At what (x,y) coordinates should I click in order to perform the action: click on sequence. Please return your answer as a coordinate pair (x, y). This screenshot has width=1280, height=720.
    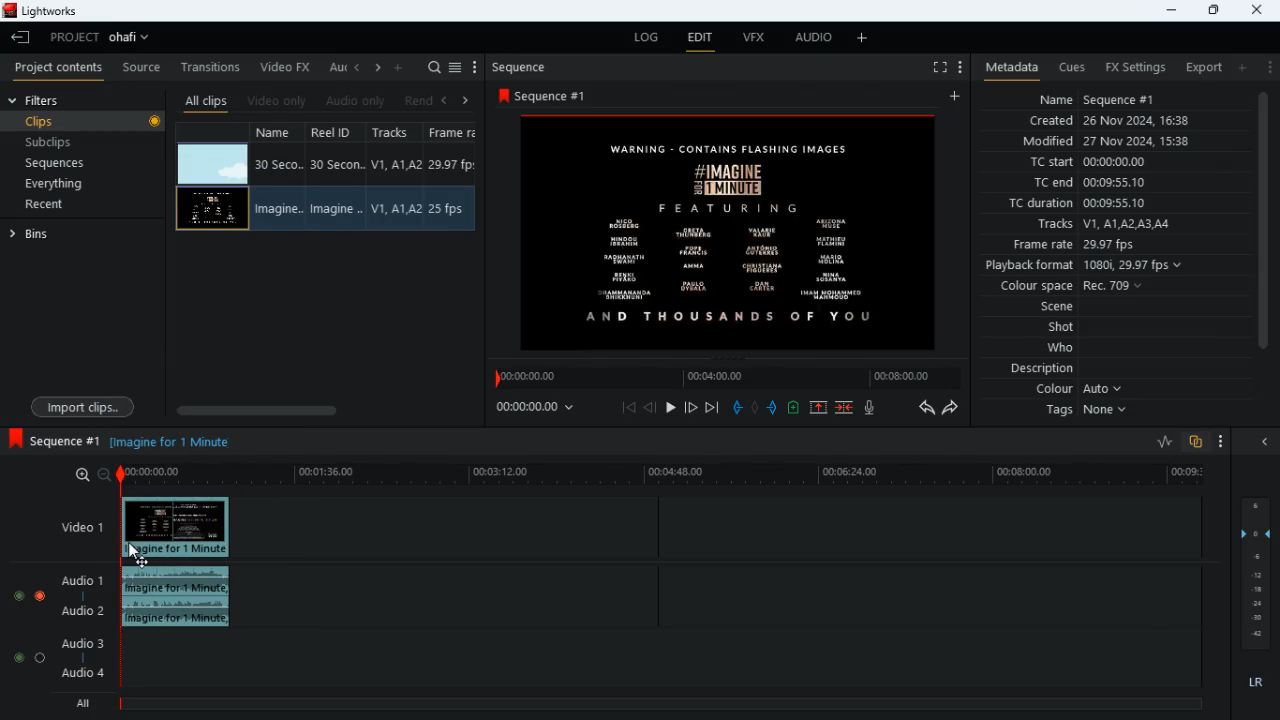
    Looking at the image, I should click on (55, 442).